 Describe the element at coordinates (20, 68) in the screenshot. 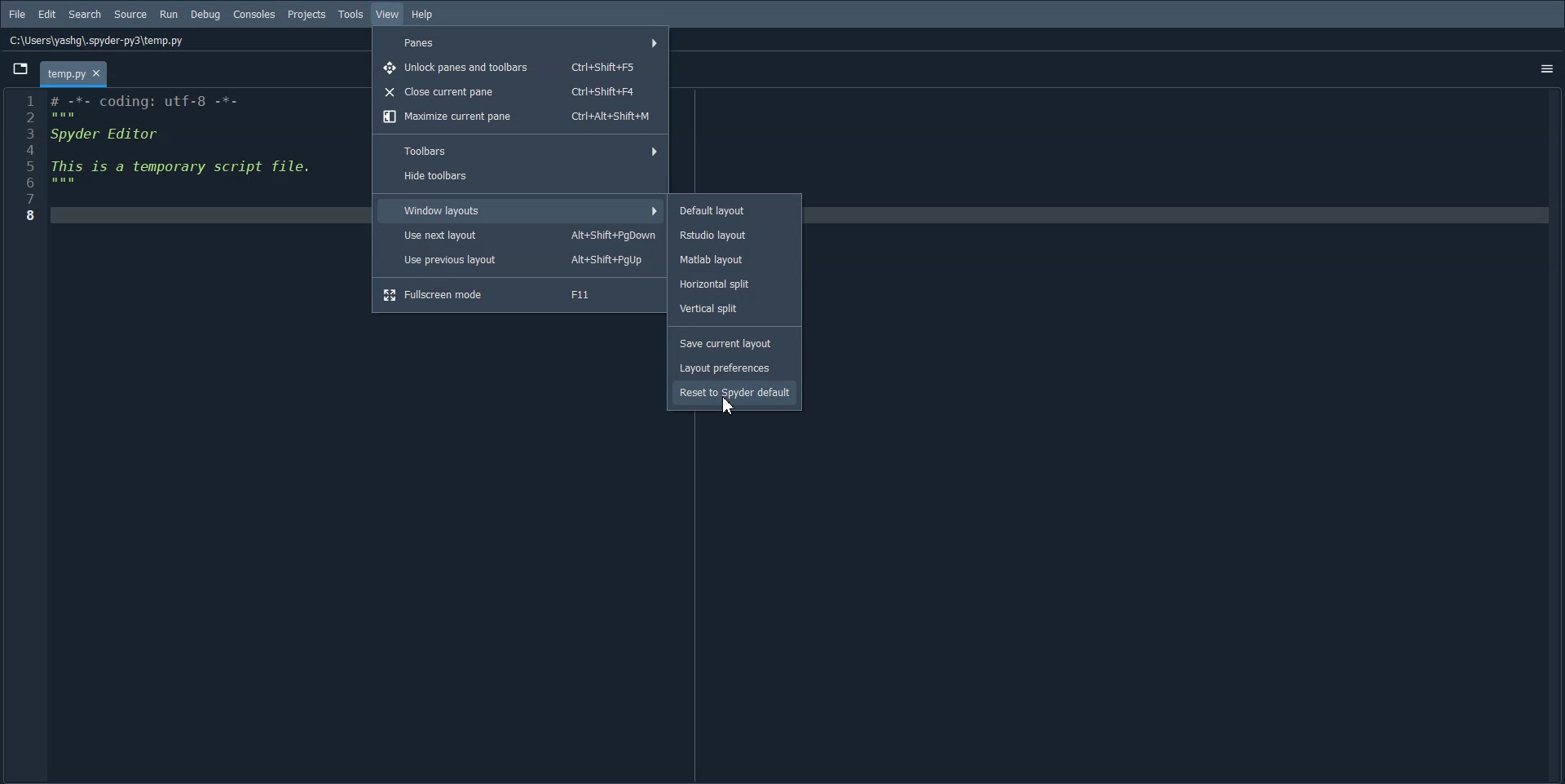

I see `Browse Tab` at that location.